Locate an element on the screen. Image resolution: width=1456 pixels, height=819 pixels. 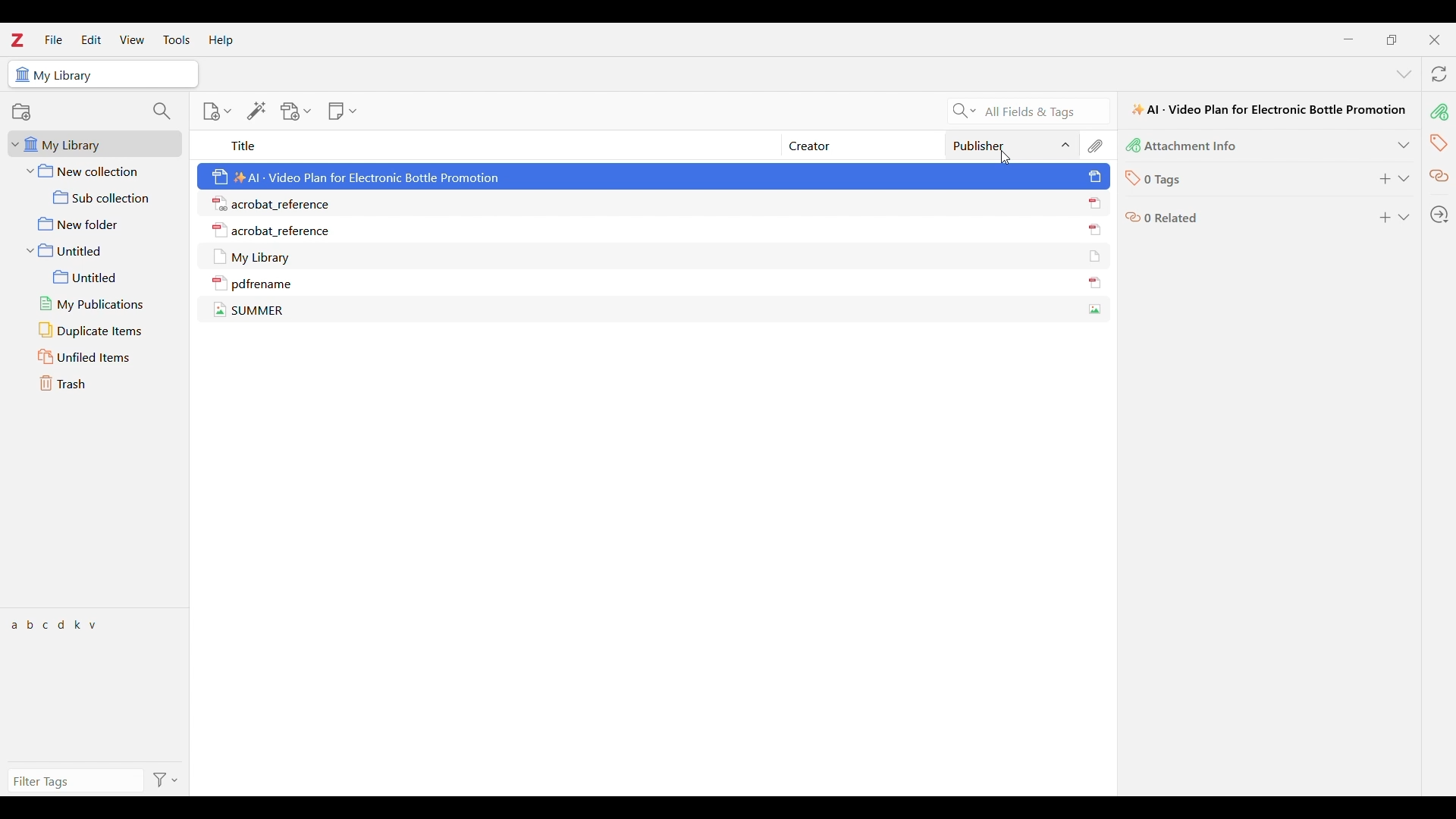
Untitled is located at coordinates (99, 278).